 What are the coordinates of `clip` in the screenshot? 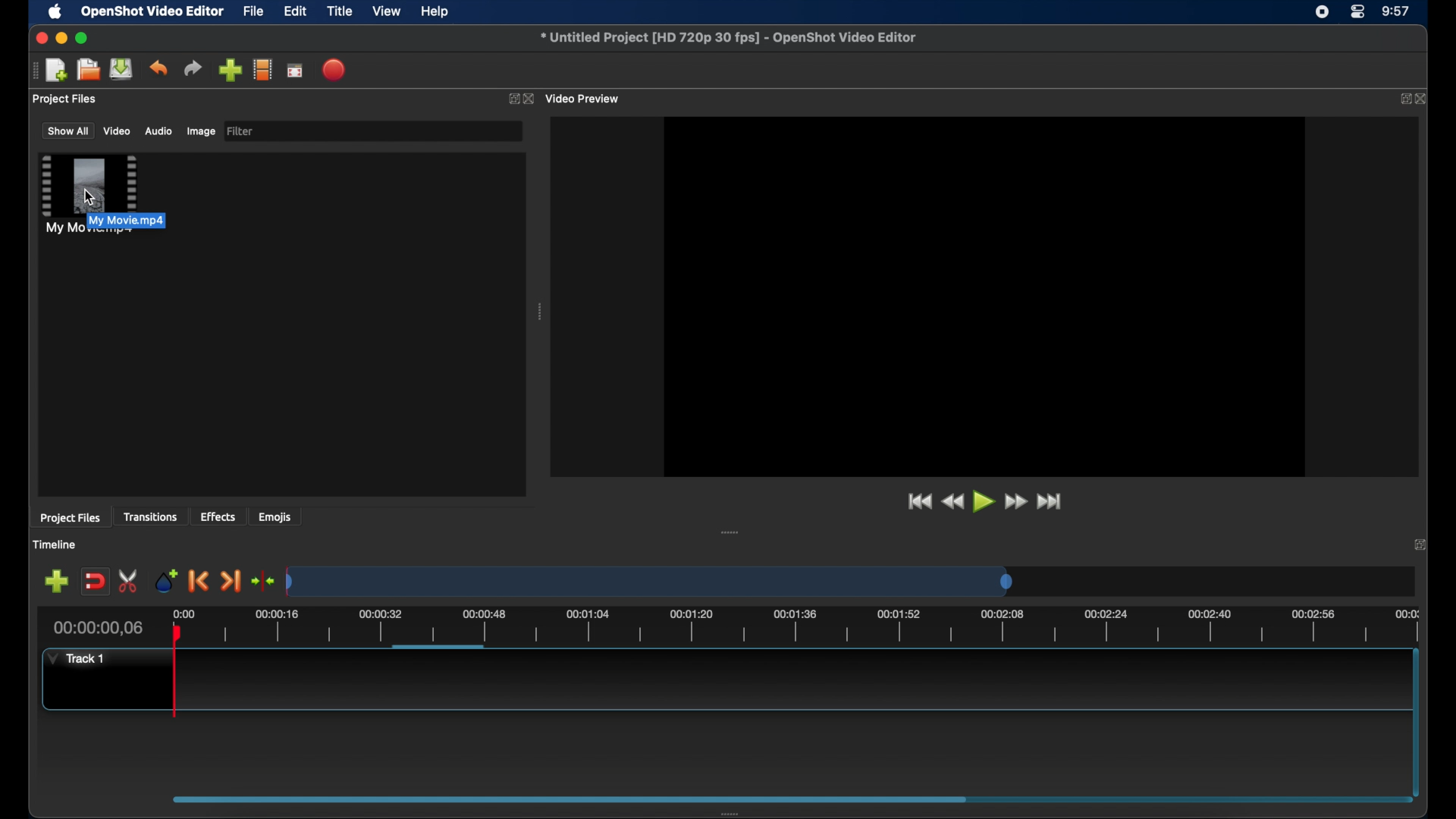 It's located at (89, 195).